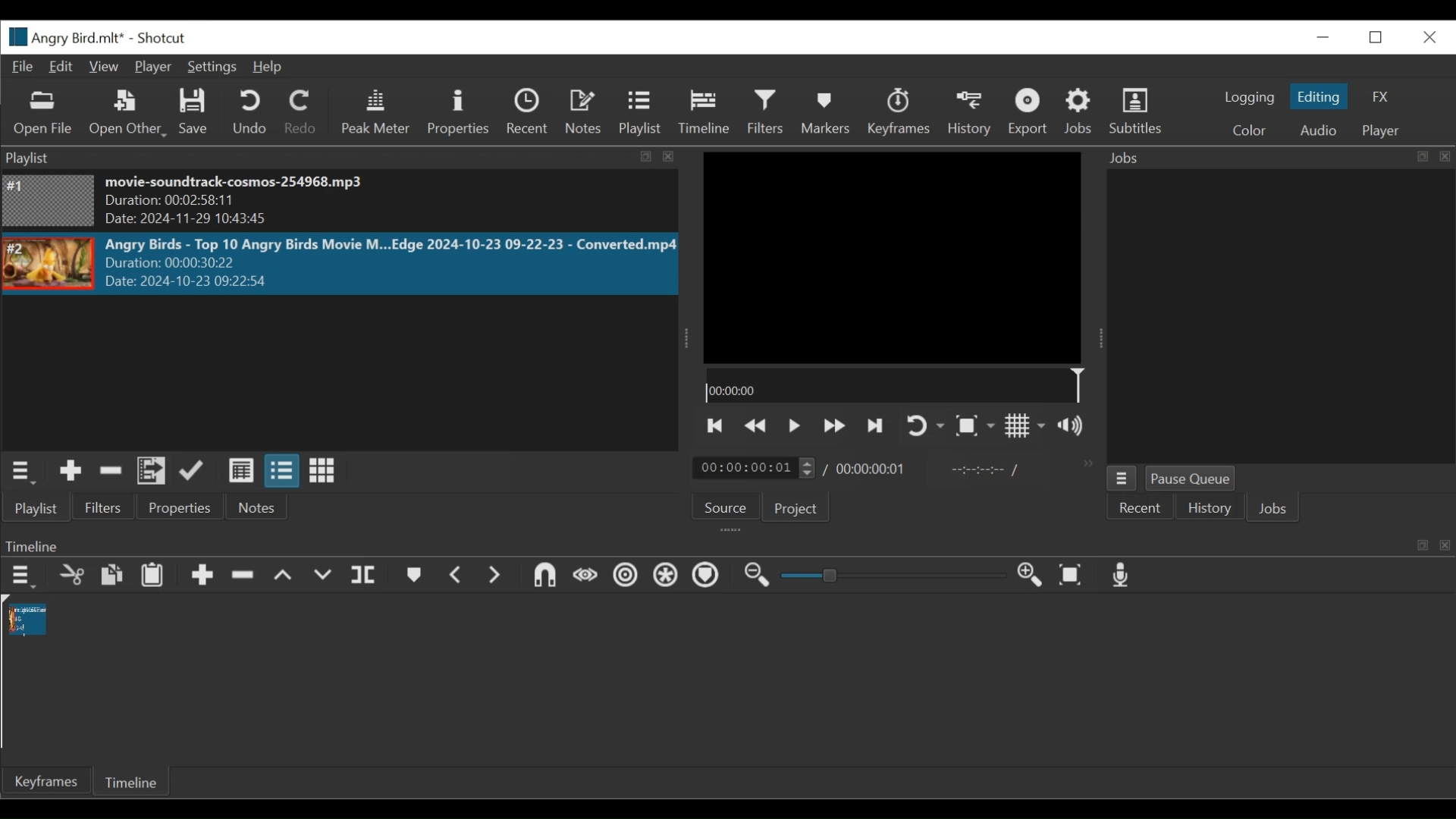 Image resolution: width=1456 pixels, height=819 pixels. Describe the element at coordinates (968, 113) in the screenshot. I see `History` at that location.